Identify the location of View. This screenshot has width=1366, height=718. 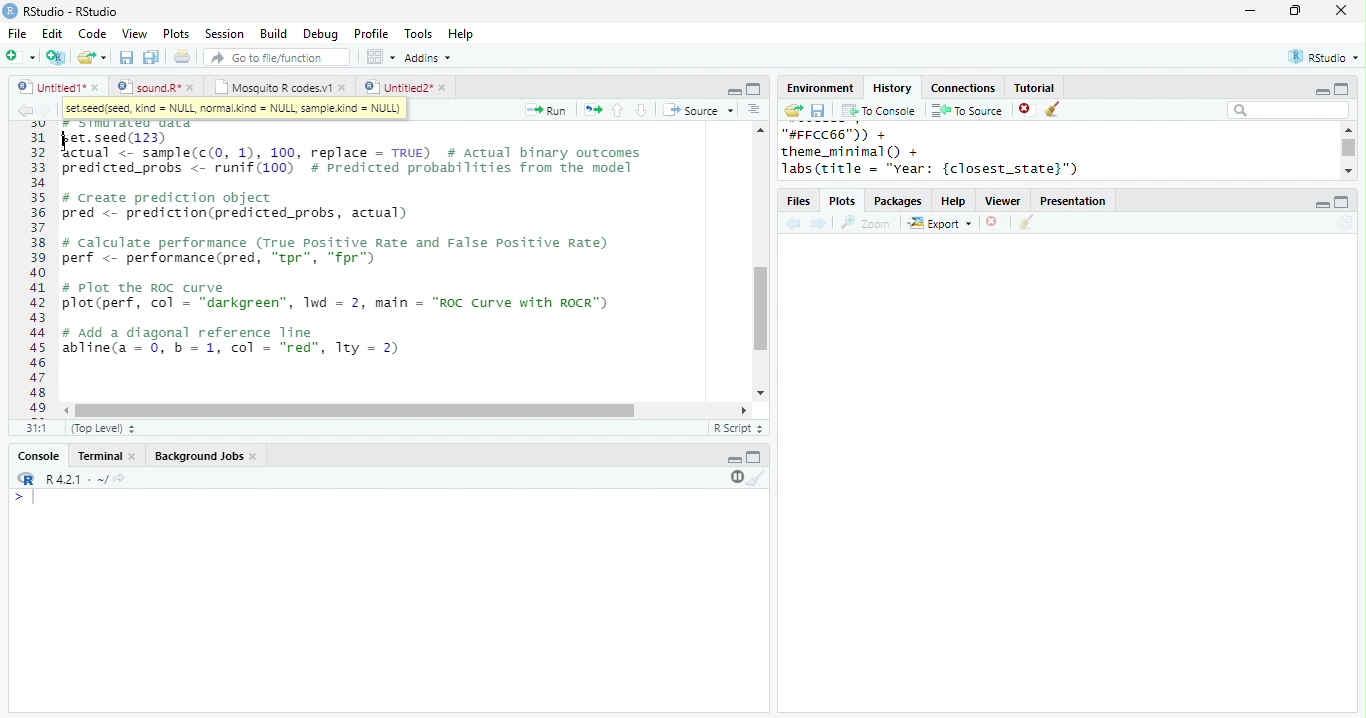
(134, 34).